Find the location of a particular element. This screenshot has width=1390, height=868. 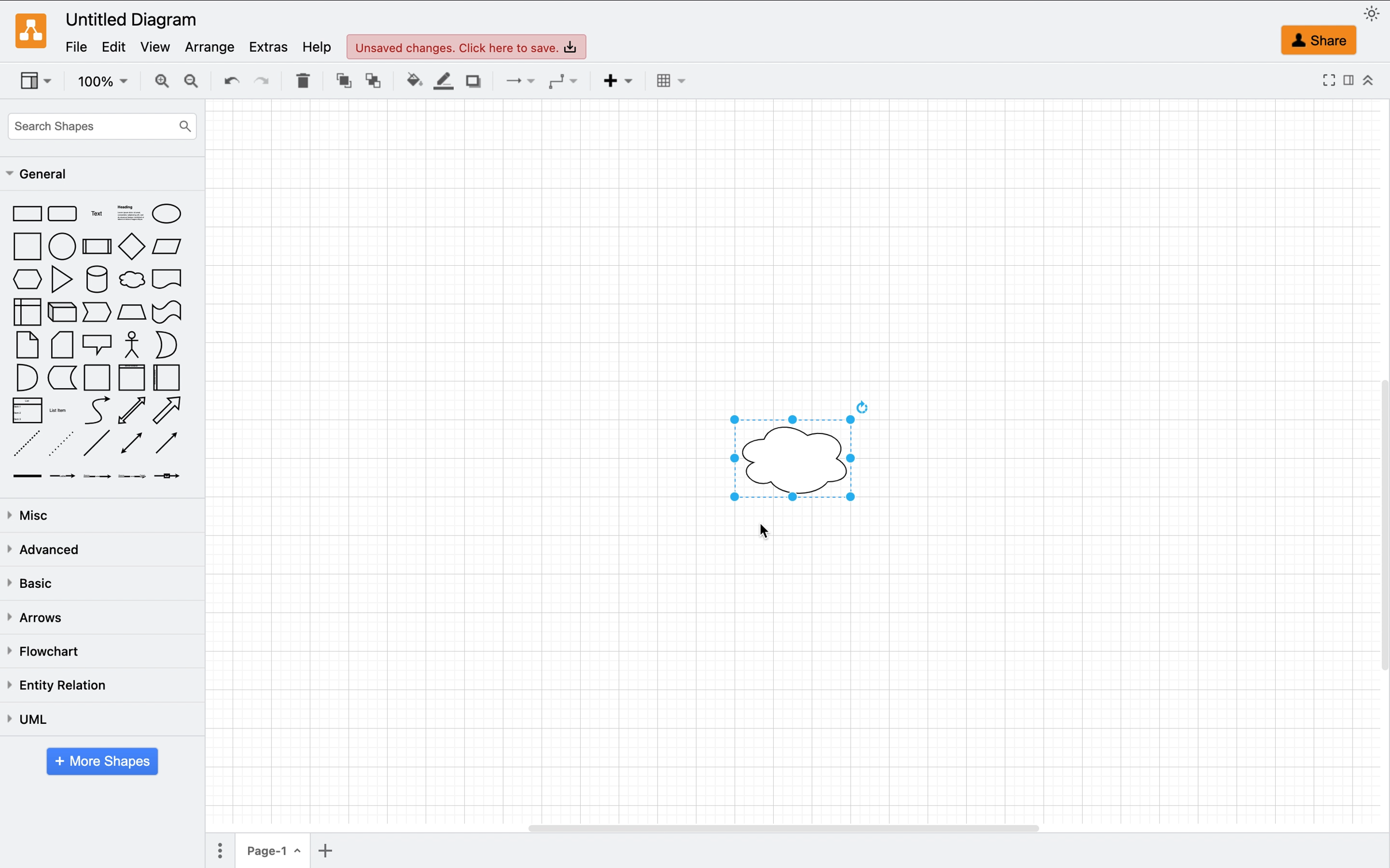

parallelogram is located at coordinates (171, 245).